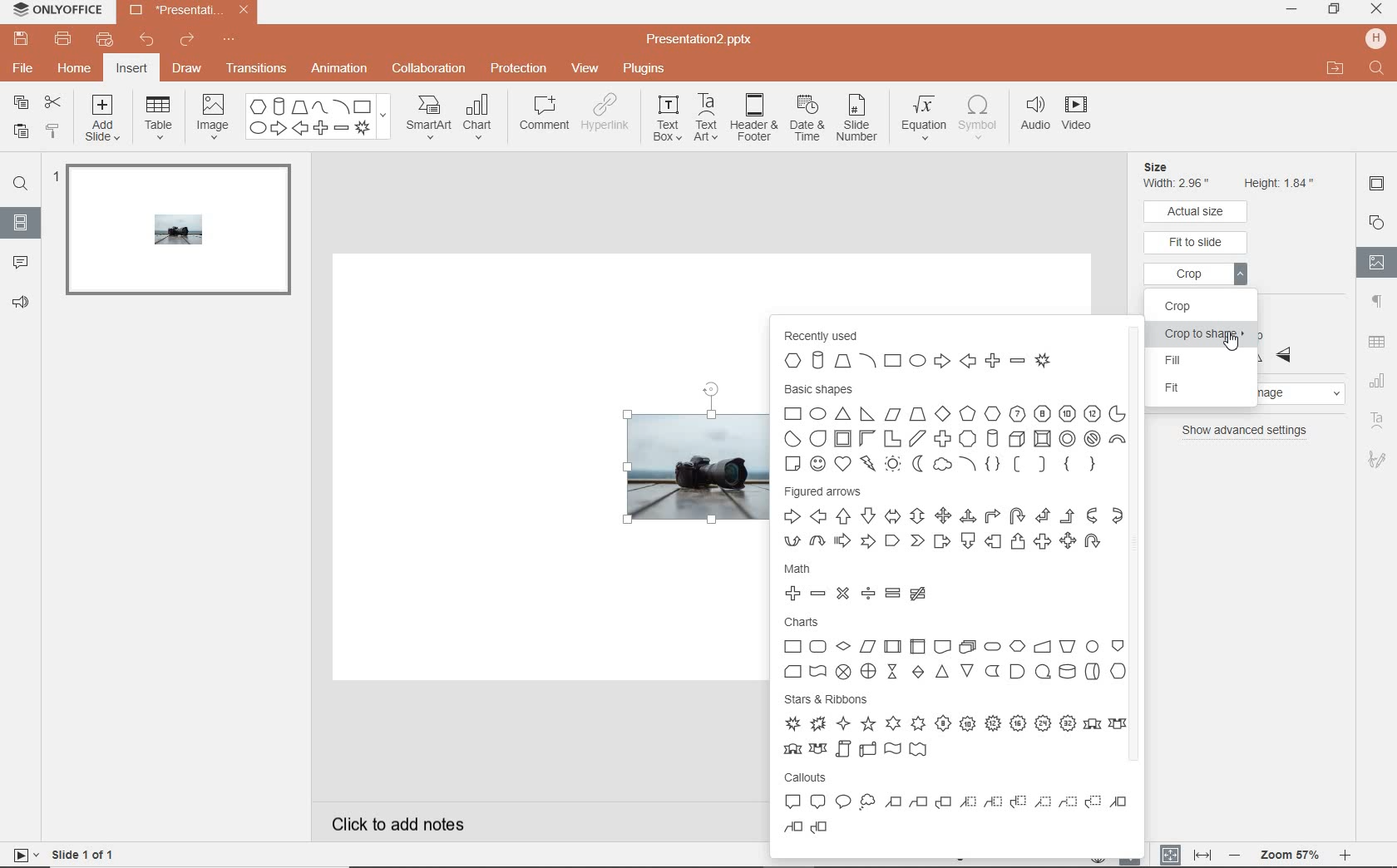 The width and height of the screenshot is (1397, 868). What do you see at coordinates (1213, 389) in the screenshot?
I see `fit` at bounding box center [1213, 389].